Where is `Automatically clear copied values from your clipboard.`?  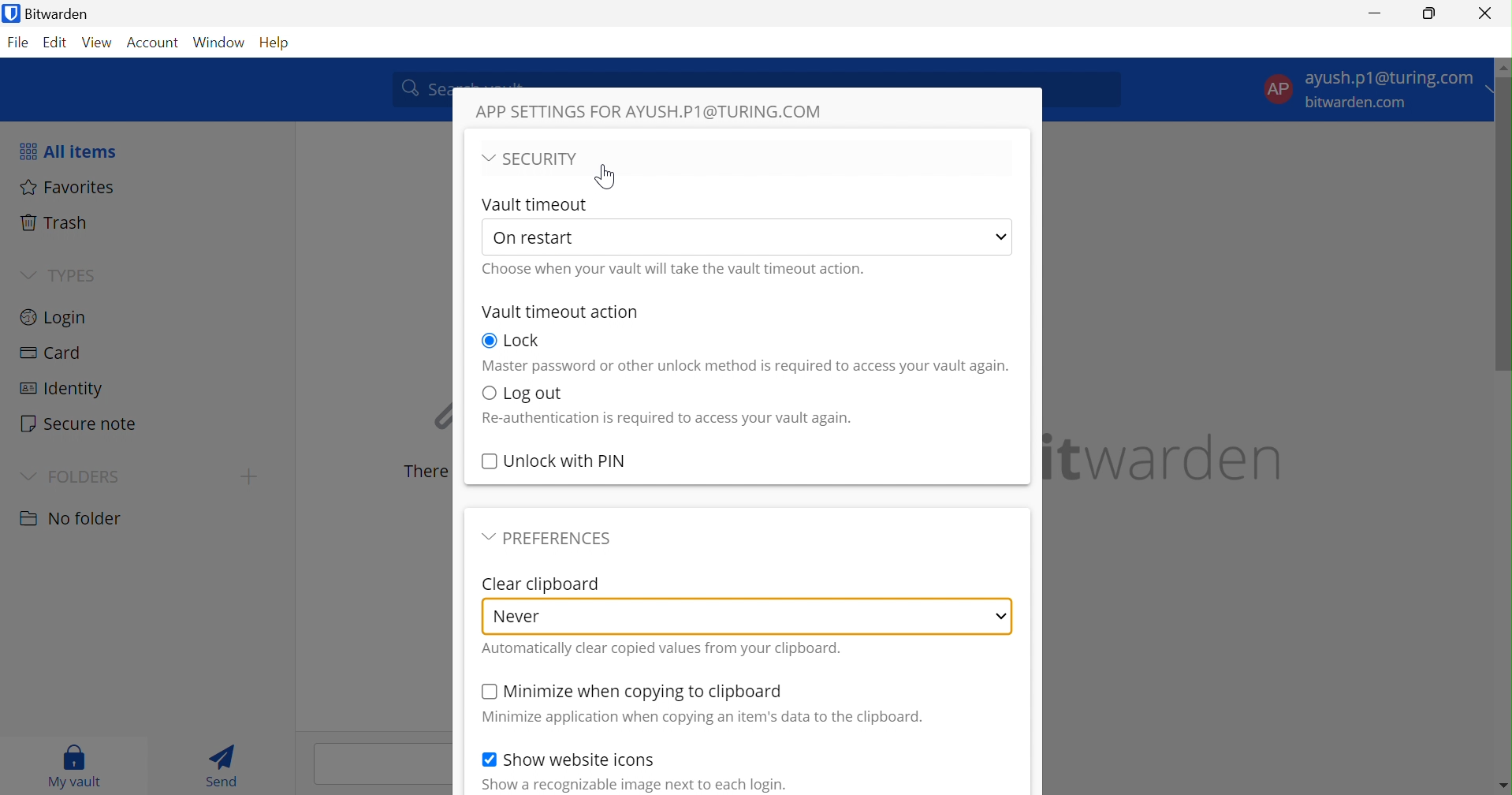
Automatically clear copied values from your clipboard. is located at coordinates (661, 648).